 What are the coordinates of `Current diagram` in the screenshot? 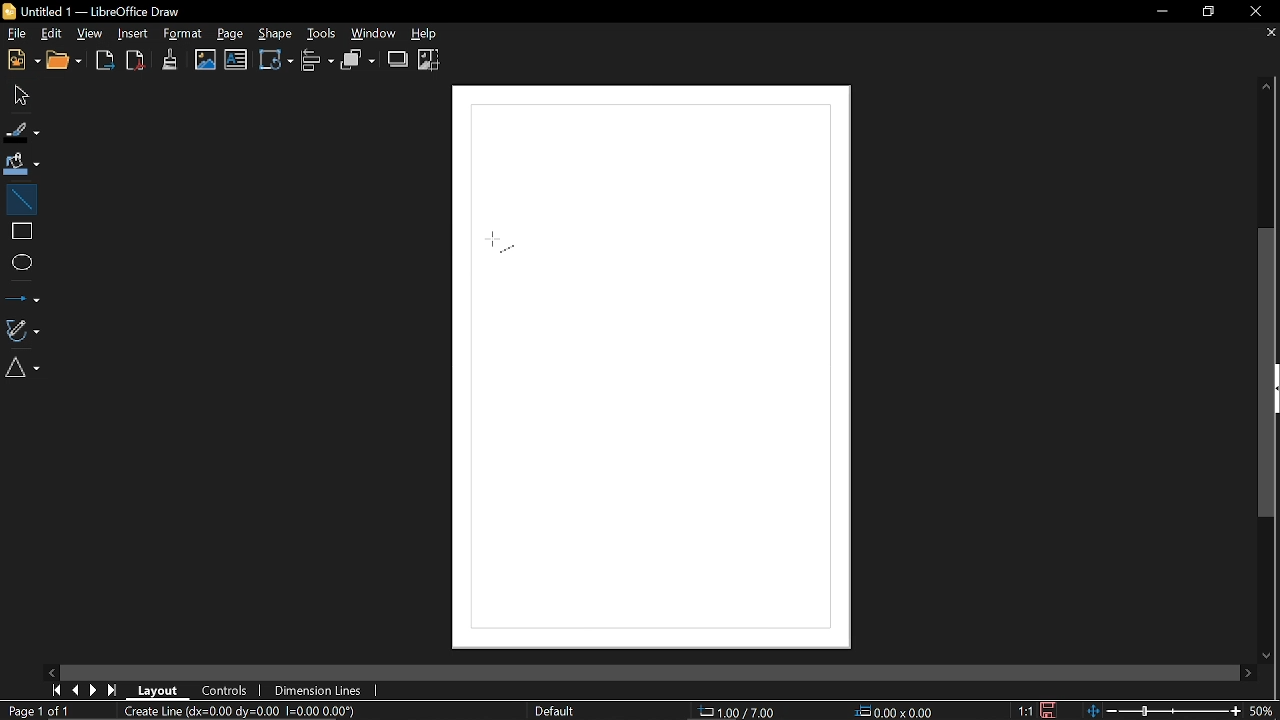 It's located at (258, 712).